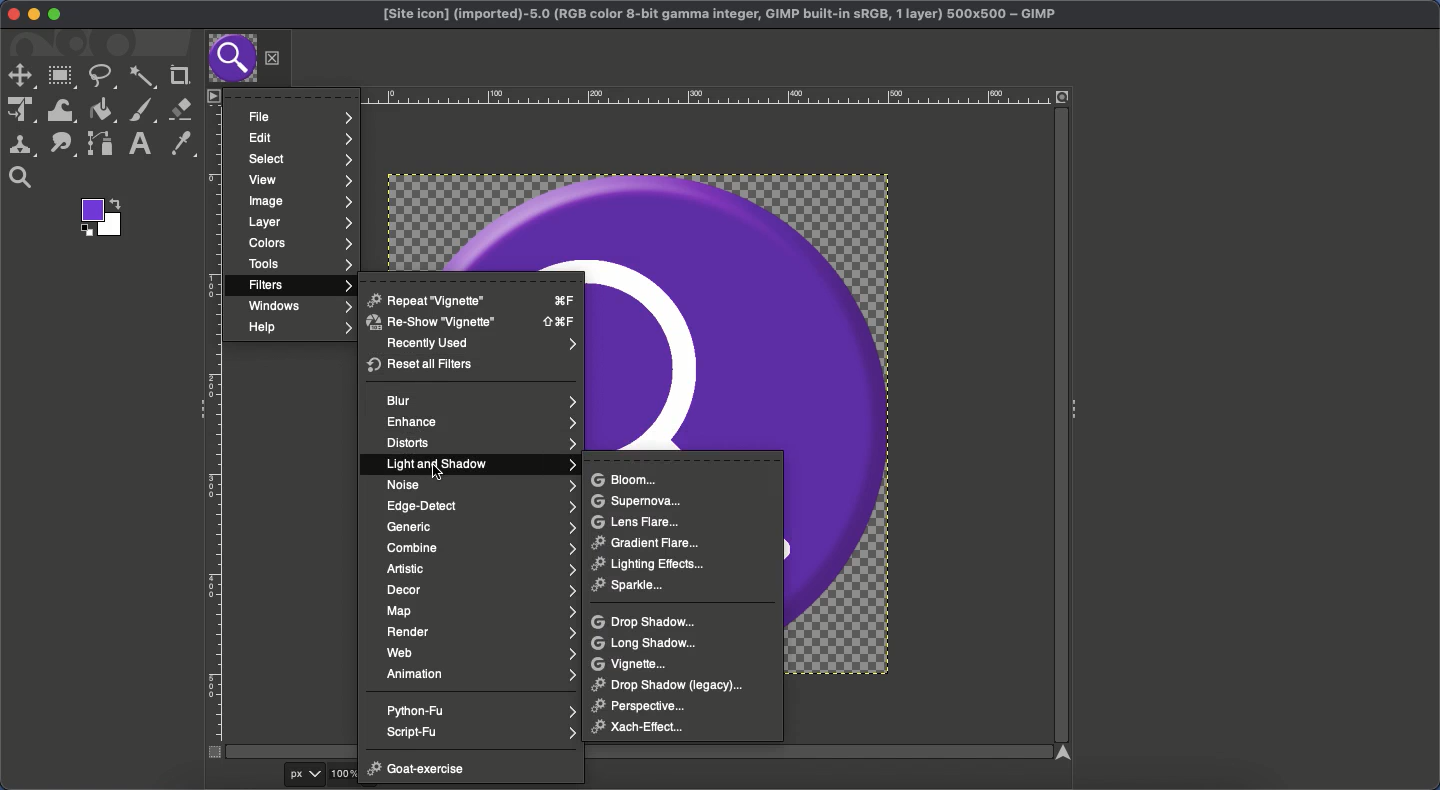  I want to click on File, so click(303, 117).